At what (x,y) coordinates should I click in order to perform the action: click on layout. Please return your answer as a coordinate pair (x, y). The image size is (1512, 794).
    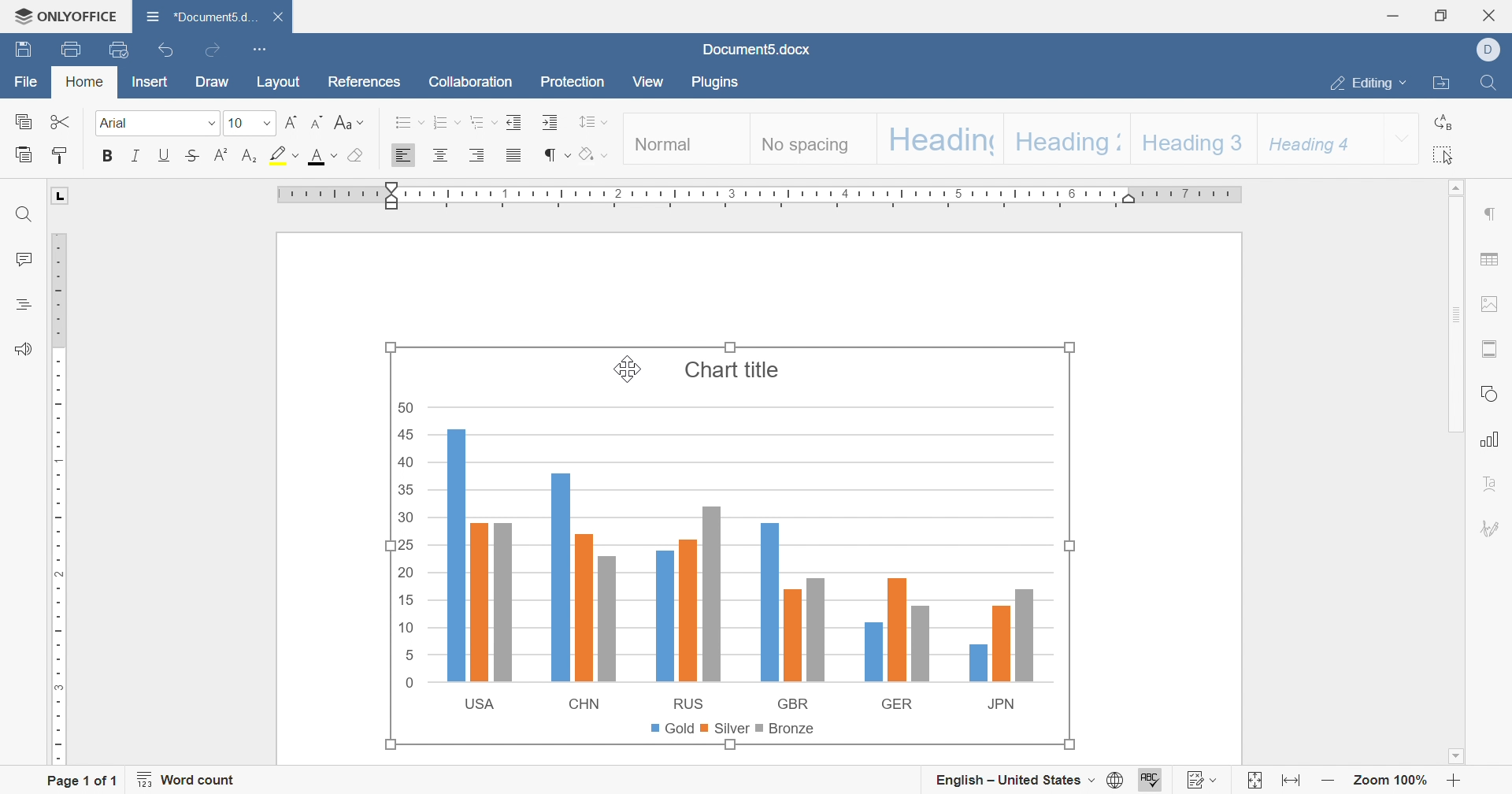
    Looking at the image, I should click on (279, 83).